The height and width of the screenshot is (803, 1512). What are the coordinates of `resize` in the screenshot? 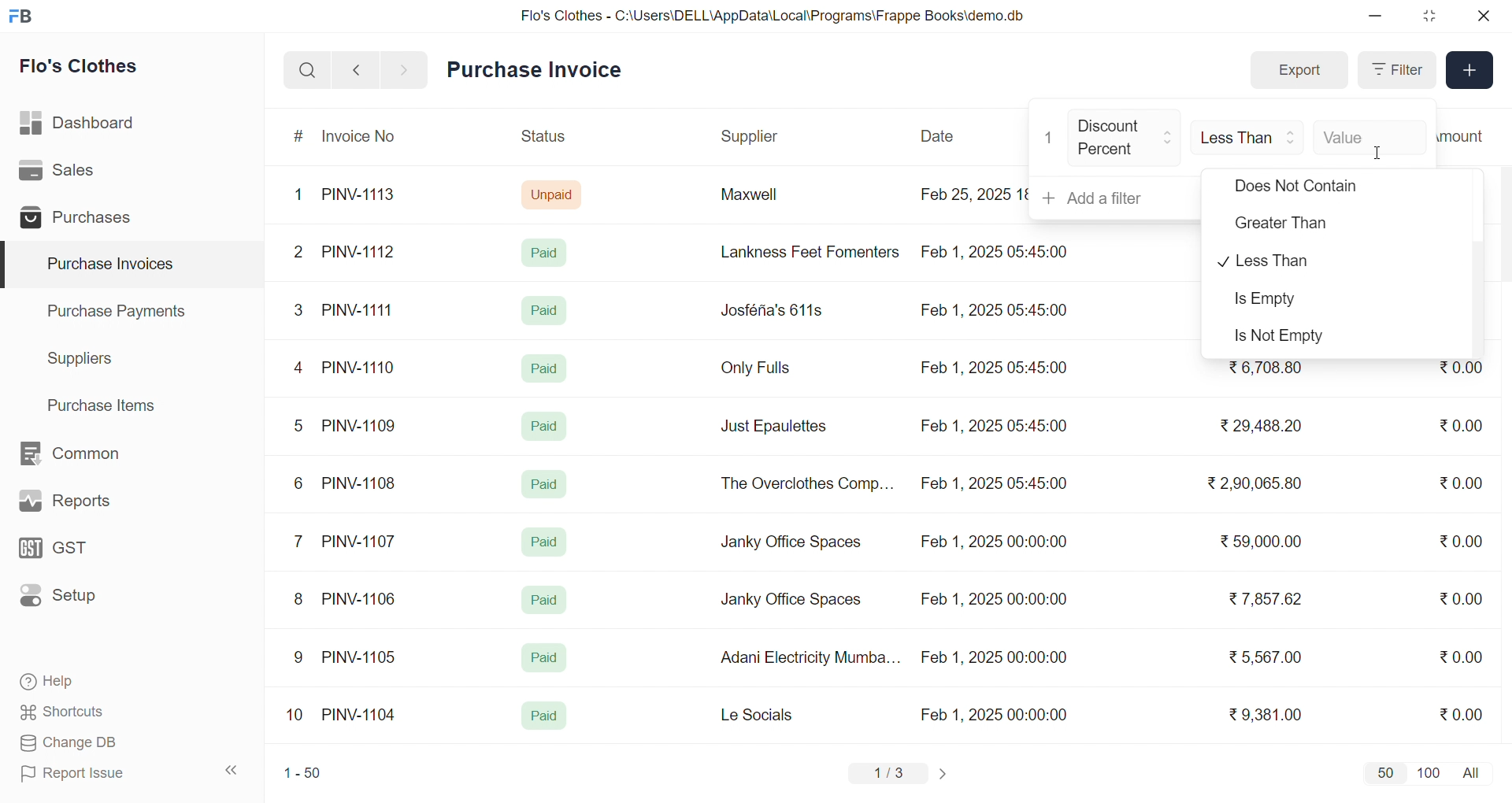 It's located at (1429, 16).